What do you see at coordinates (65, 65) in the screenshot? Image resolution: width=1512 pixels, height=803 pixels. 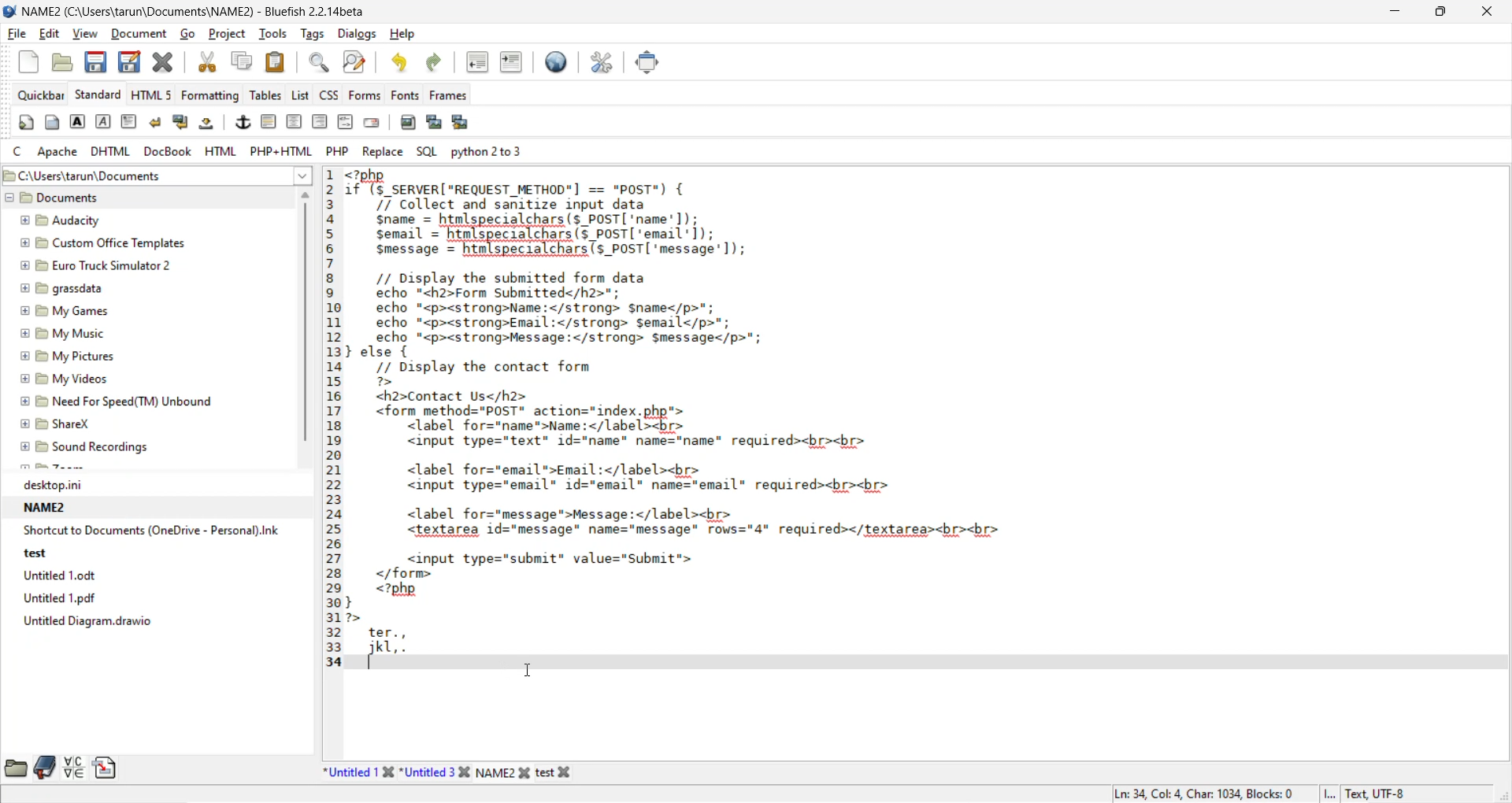 I see `open` at bounding box center [65, 65].